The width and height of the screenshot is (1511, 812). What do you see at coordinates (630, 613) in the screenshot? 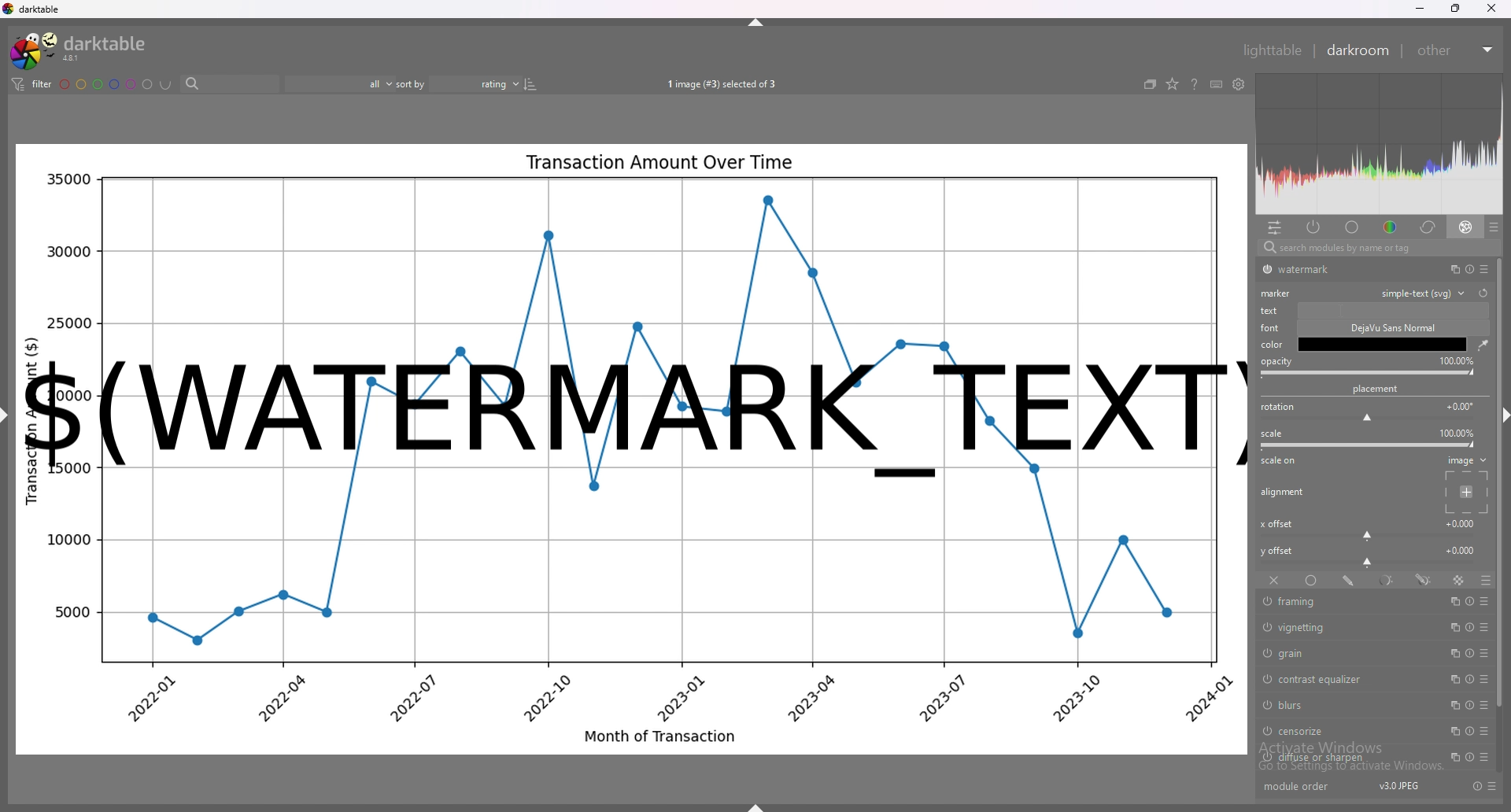
I see `graph` at bounding box center [630, 613].